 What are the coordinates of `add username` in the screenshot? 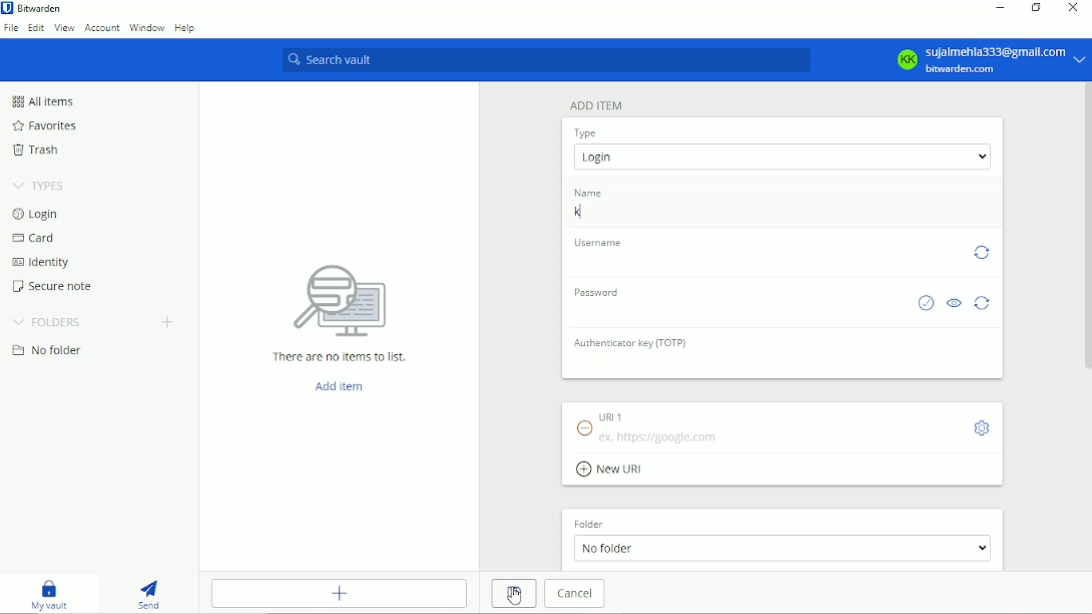 It's located at (762, 263).